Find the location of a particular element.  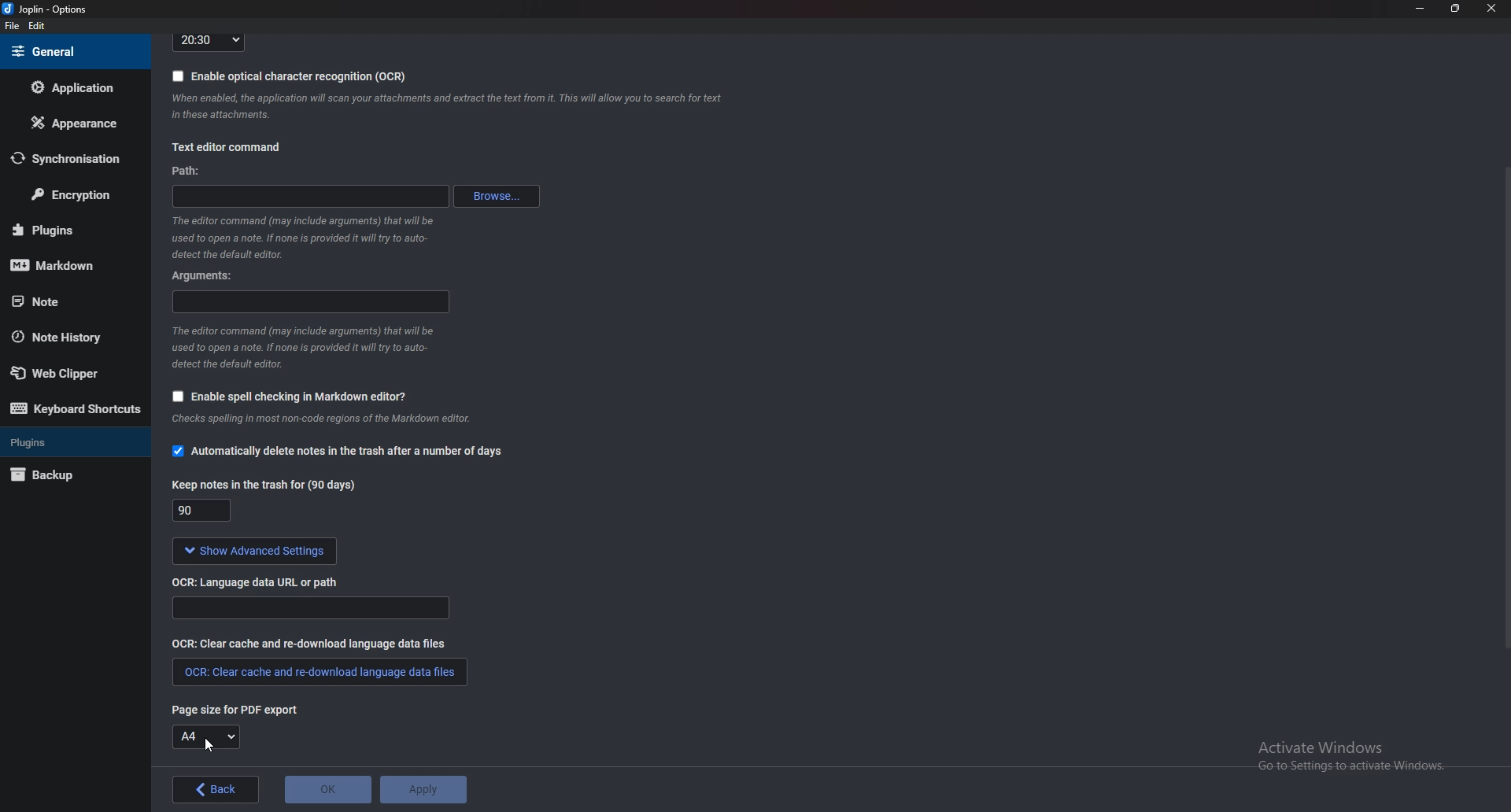

Keyboard shortcuts is located at coordinates (75, 409).